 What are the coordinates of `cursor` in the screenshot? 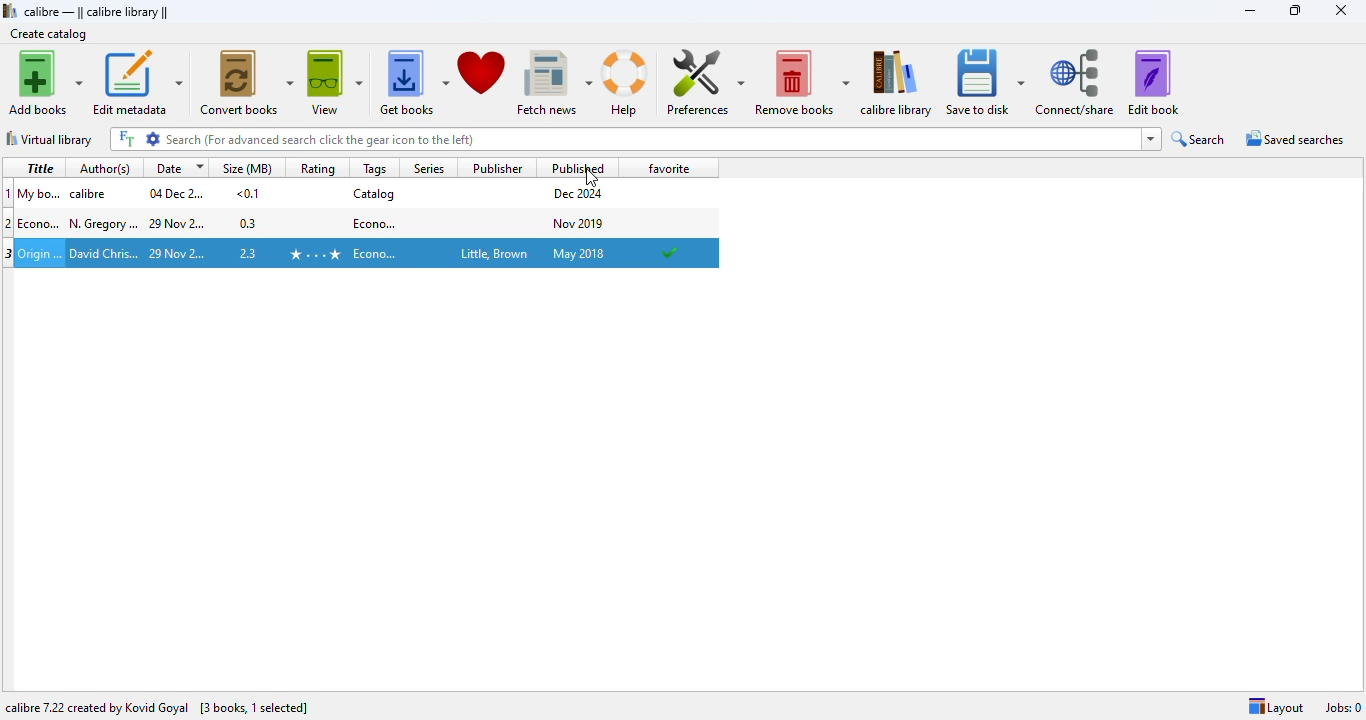 It's located at (591, 178).